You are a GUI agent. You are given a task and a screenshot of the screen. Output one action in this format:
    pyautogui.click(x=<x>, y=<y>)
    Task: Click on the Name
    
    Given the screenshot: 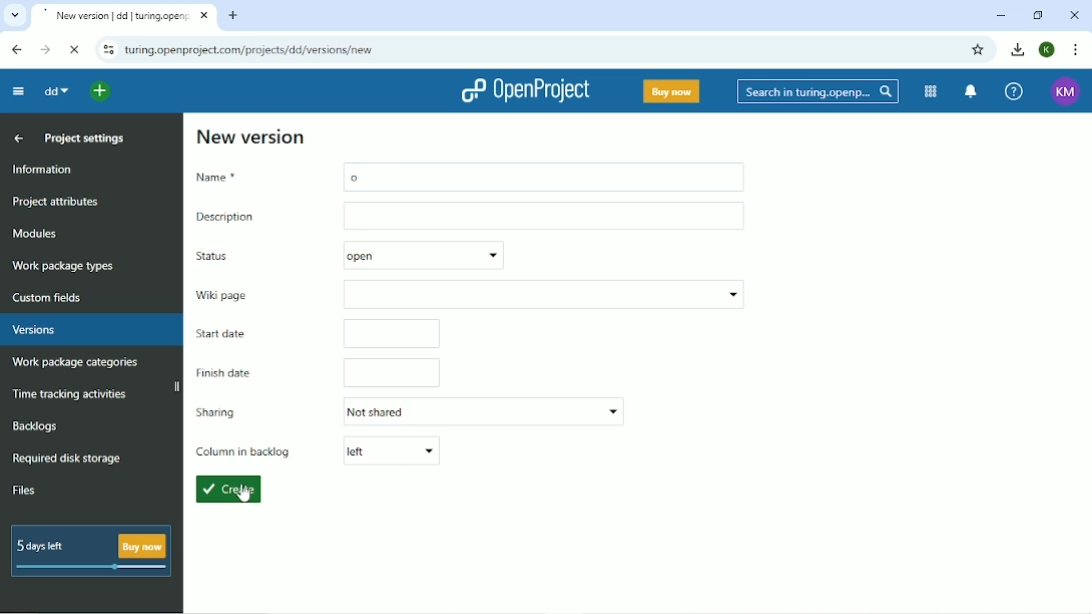 What is the action you would take?
    pyautogui.click(x=253, y=177)
    